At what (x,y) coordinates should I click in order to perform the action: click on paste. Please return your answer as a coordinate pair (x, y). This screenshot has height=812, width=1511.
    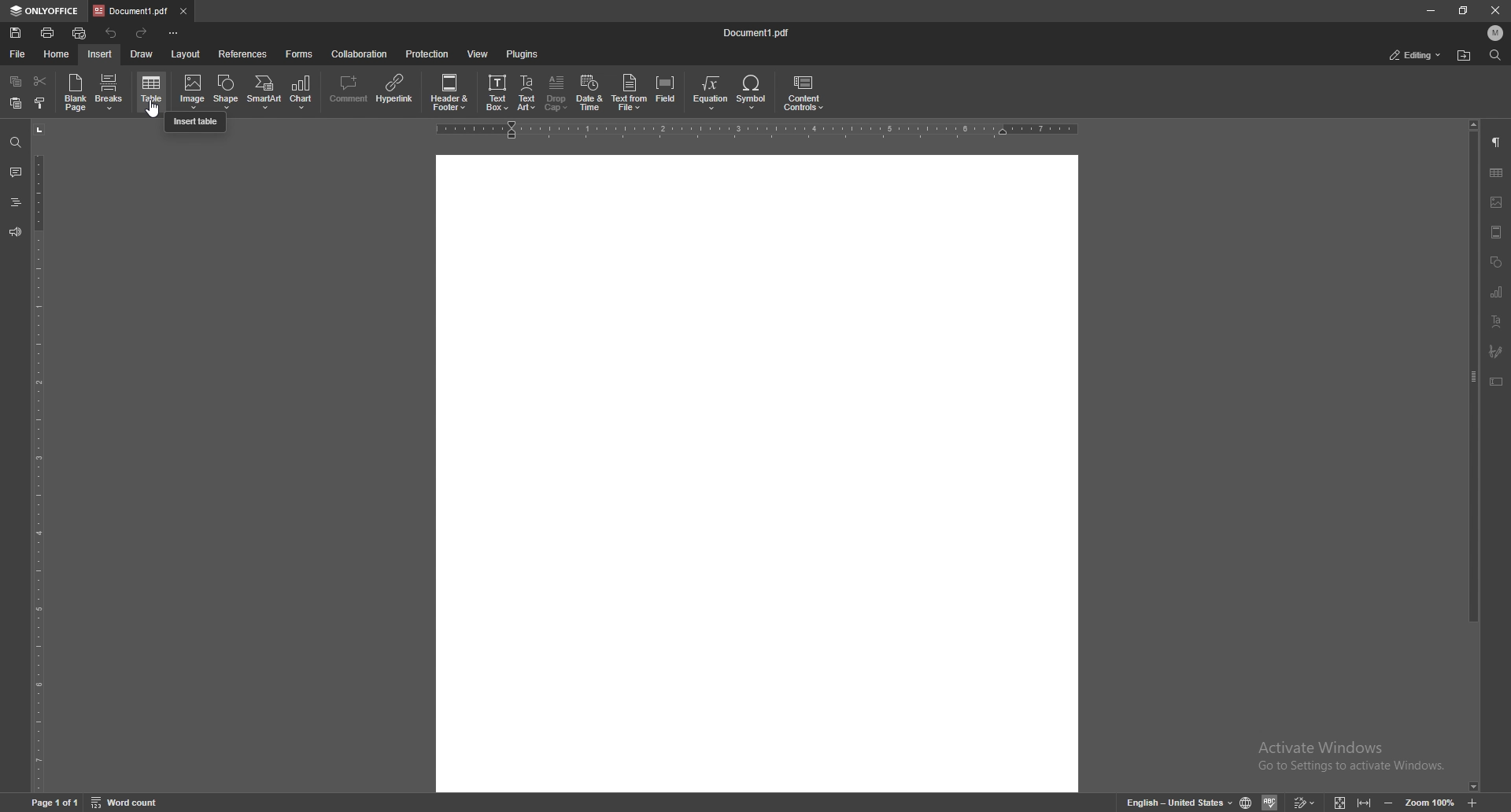
    Looking at the image, I should click on (16, 103).